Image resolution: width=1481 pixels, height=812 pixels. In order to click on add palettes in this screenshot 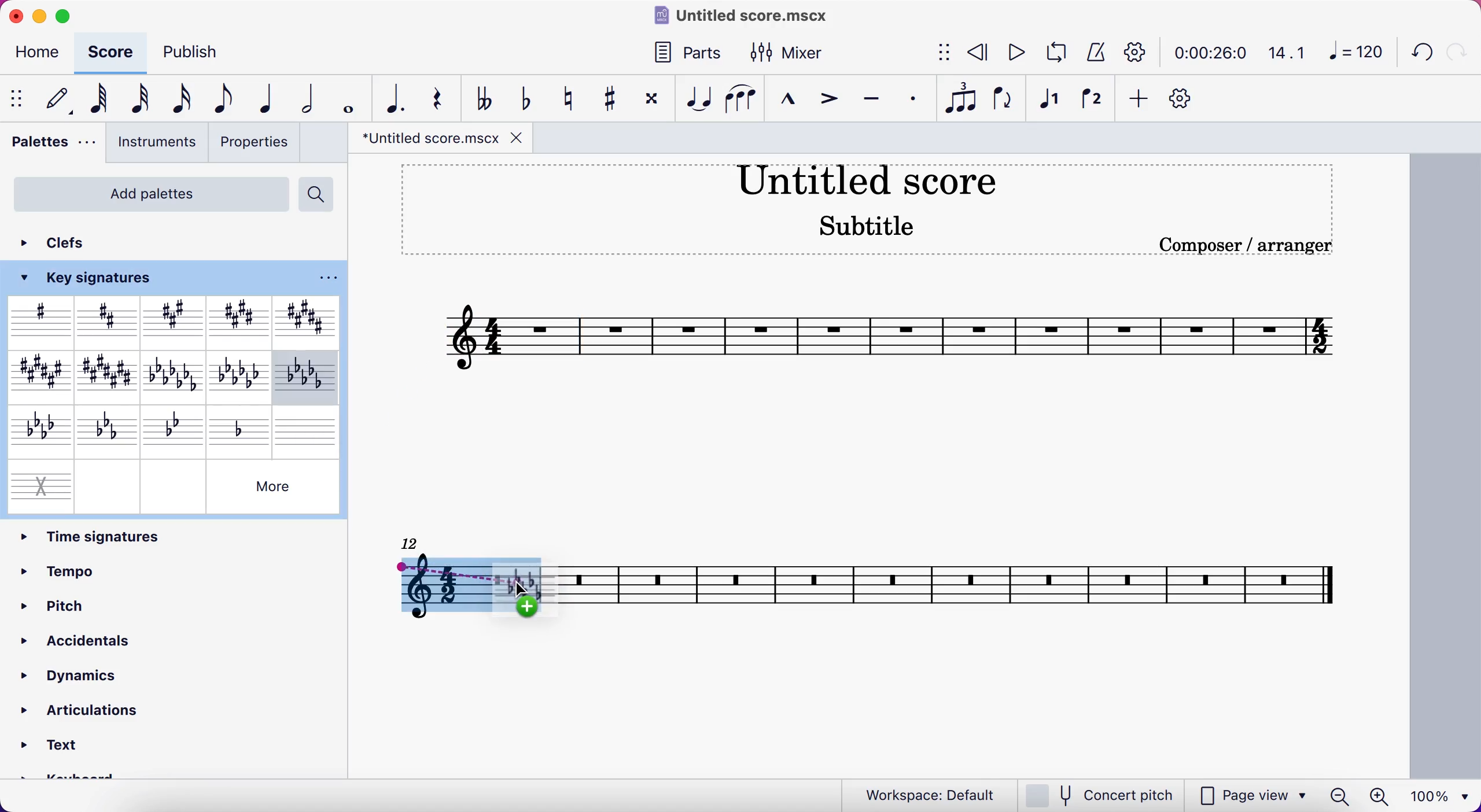, I will do `click(148, 193)`.